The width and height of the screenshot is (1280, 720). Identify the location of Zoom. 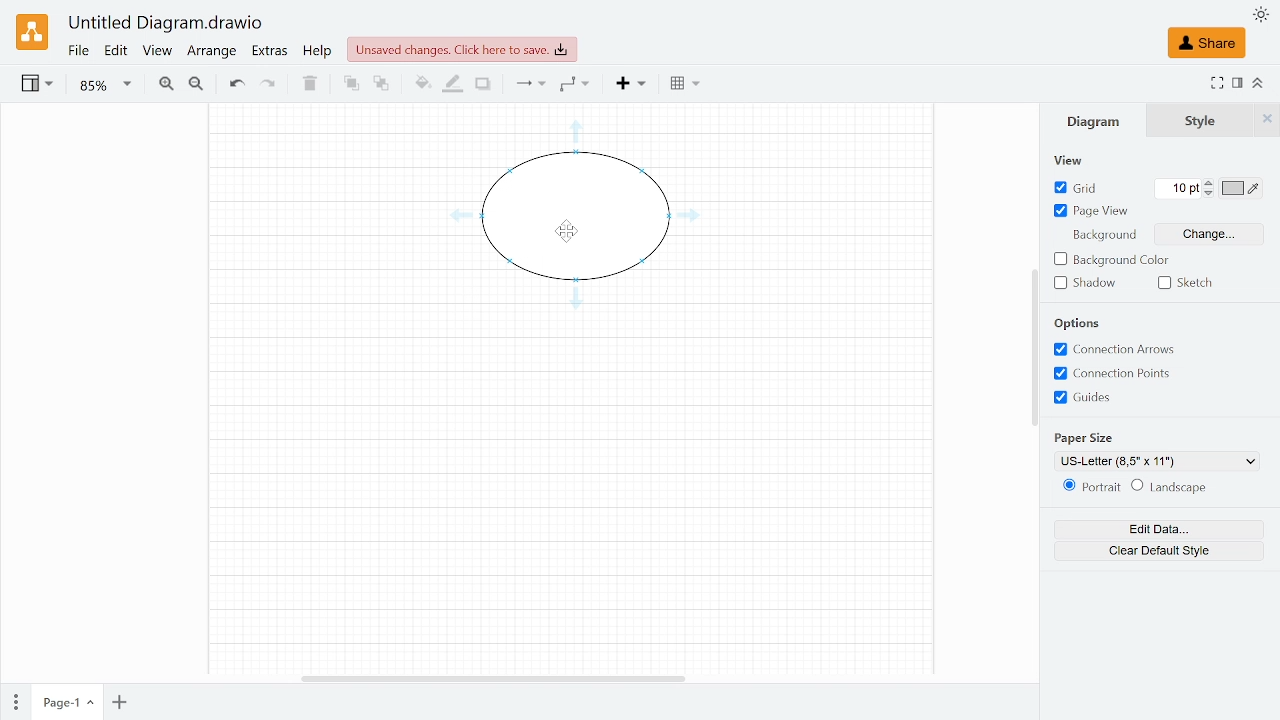
(103, 85).